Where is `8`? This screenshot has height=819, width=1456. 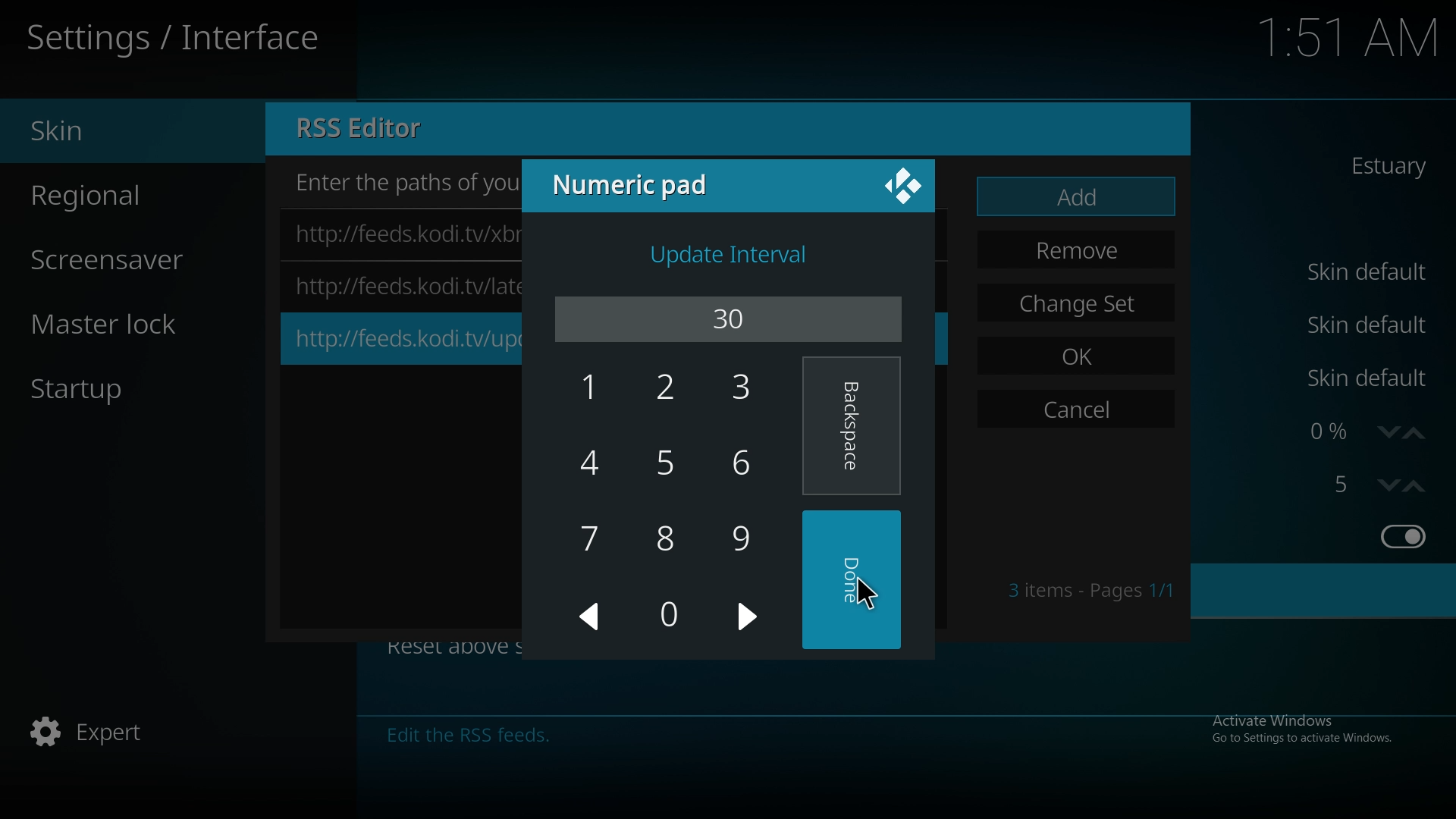
8 is located at coordinates (664, 540).